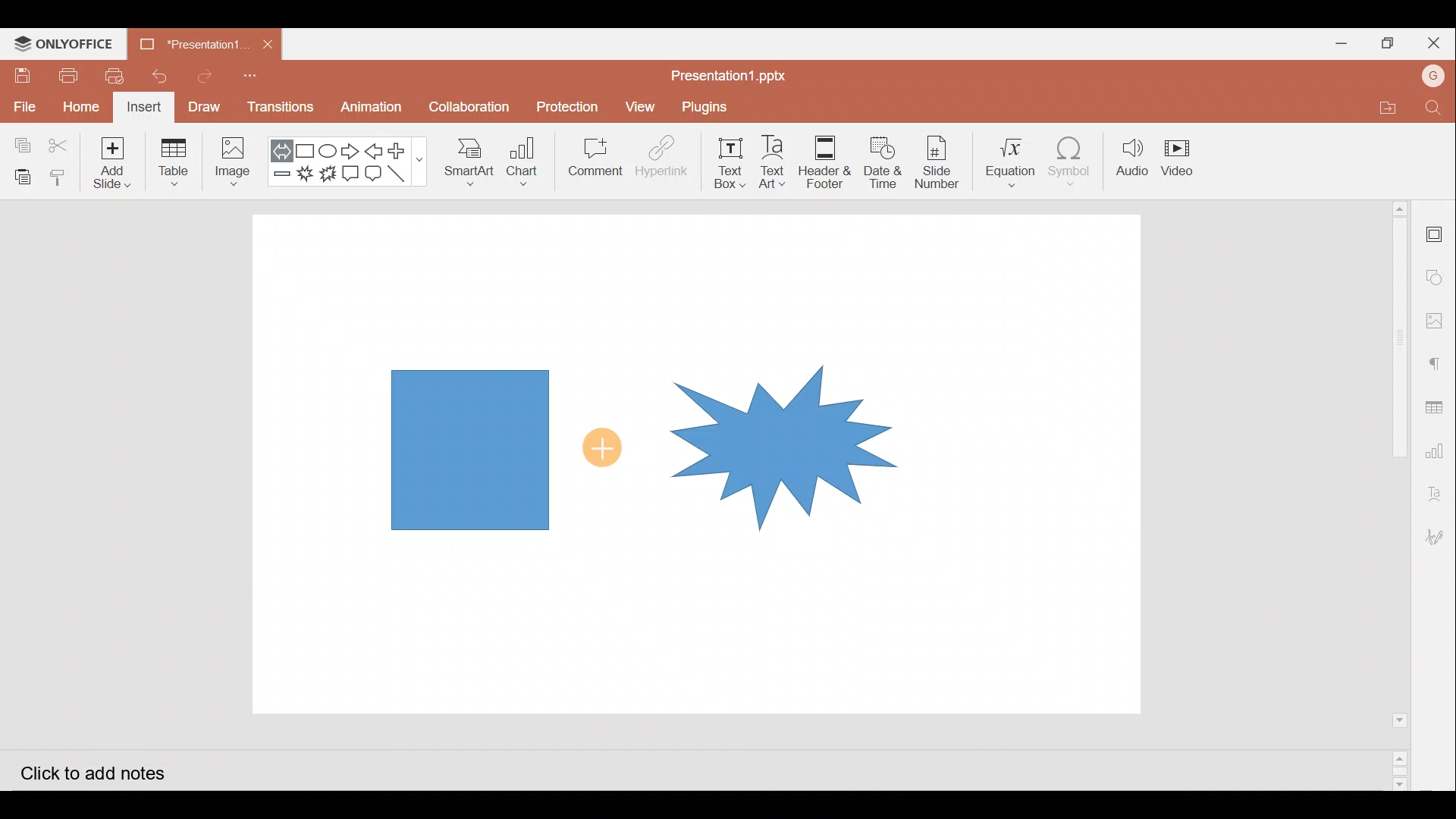  What do you see at coordinates (145, 108) in the screenshot?
I see `Insert` at bounding box center [145, 108].